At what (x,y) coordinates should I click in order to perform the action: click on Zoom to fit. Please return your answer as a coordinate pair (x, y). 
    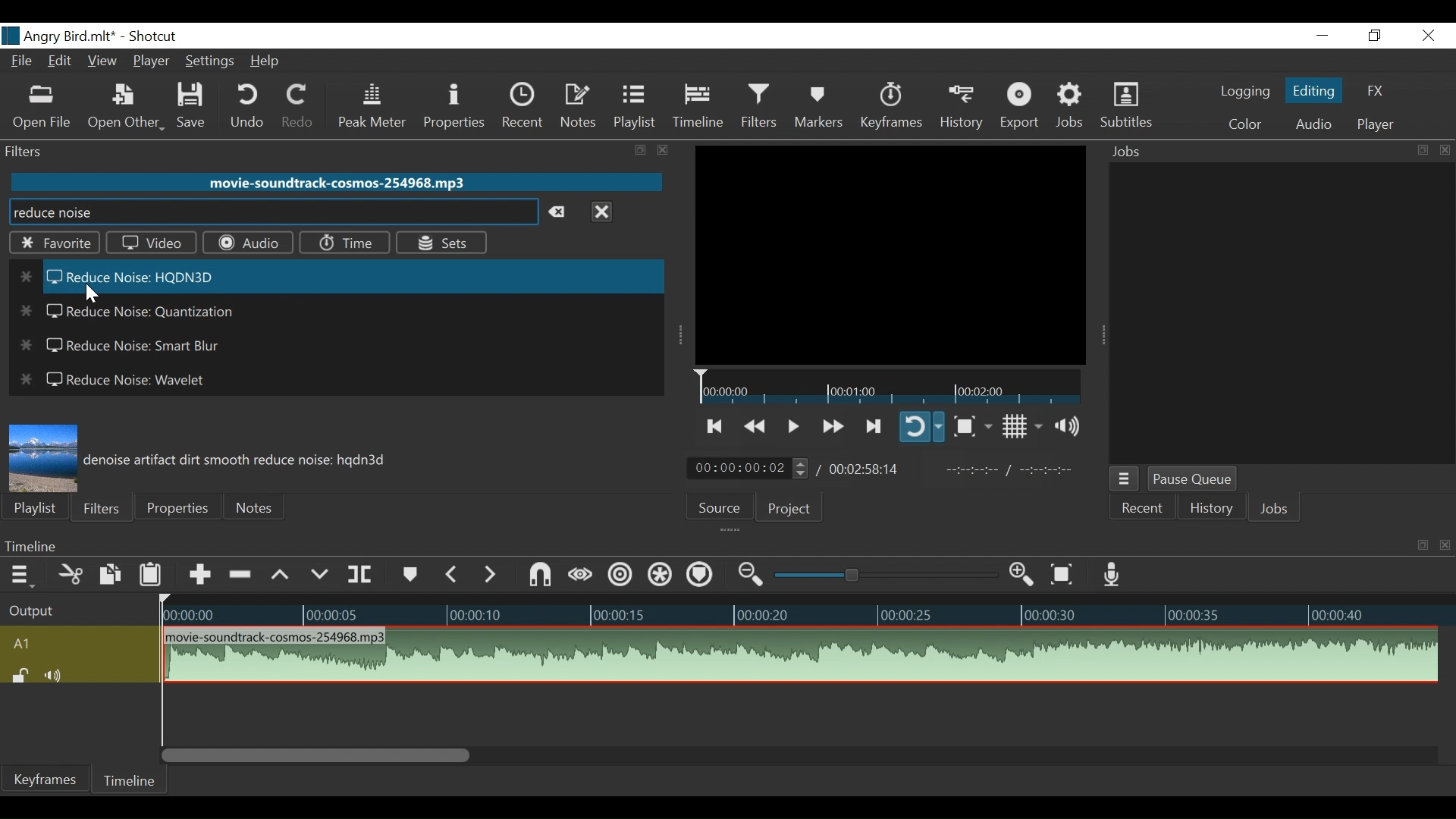
    Looking at the image, I should click on (1064, 574).